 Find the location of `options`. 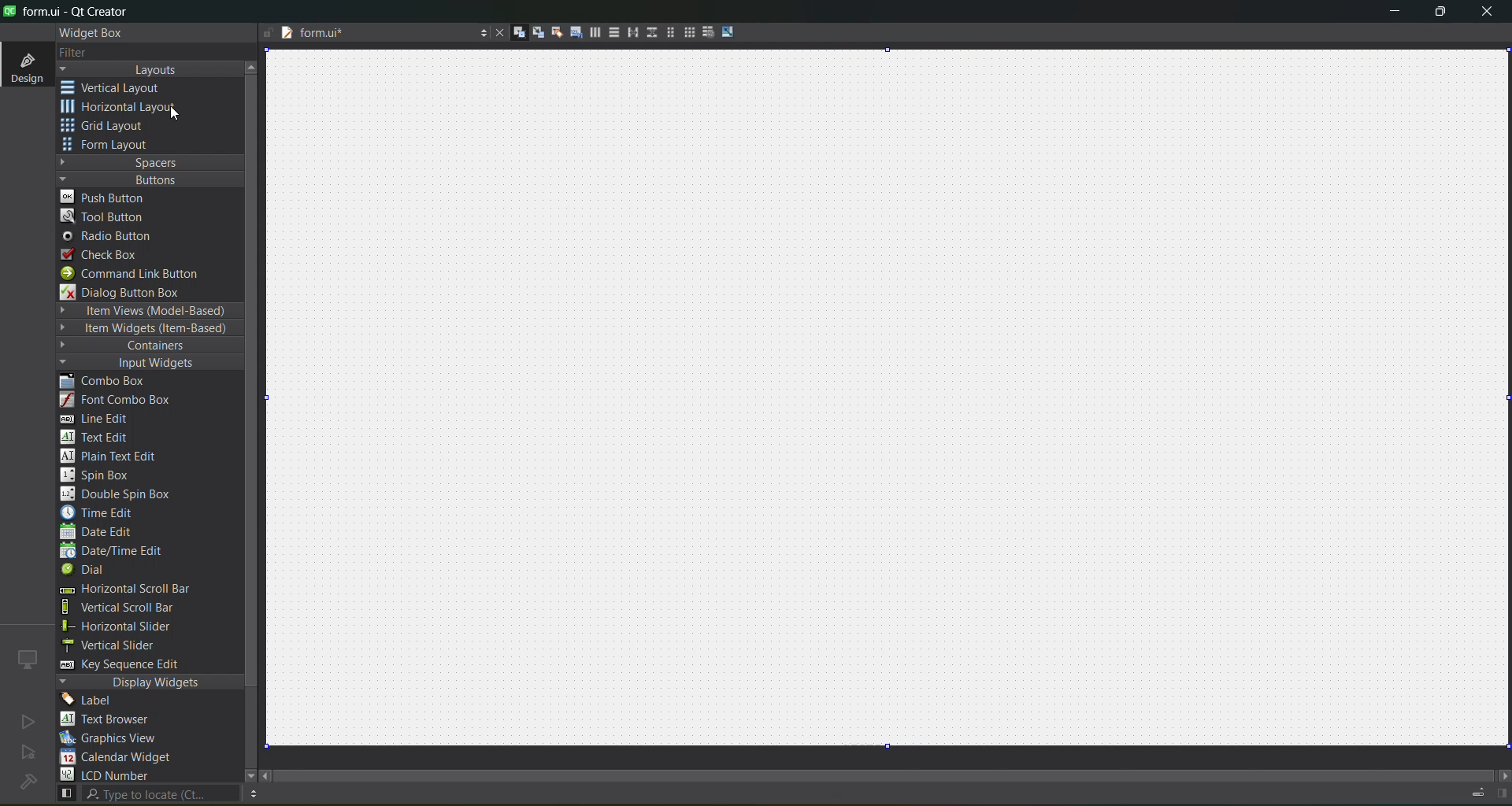

options is located at coordinates (252, 794).